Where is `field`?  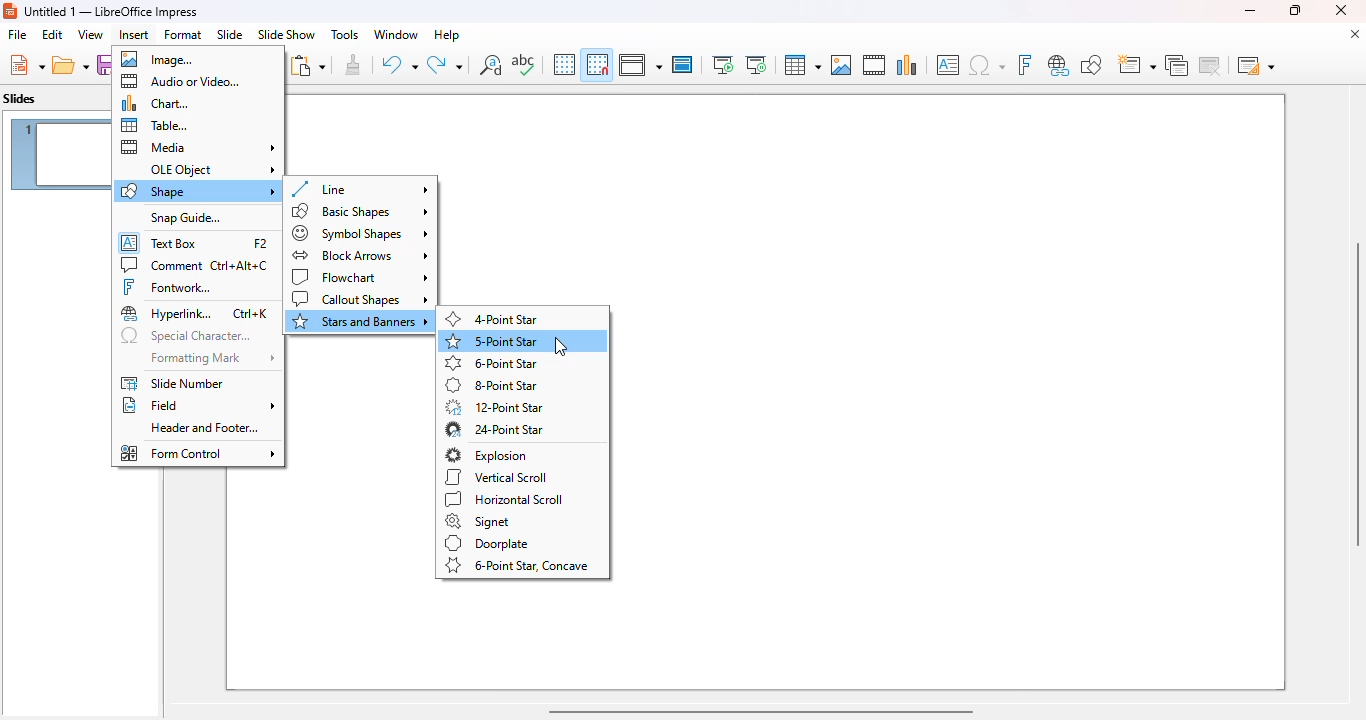
field is located at coordinates (199, 406).